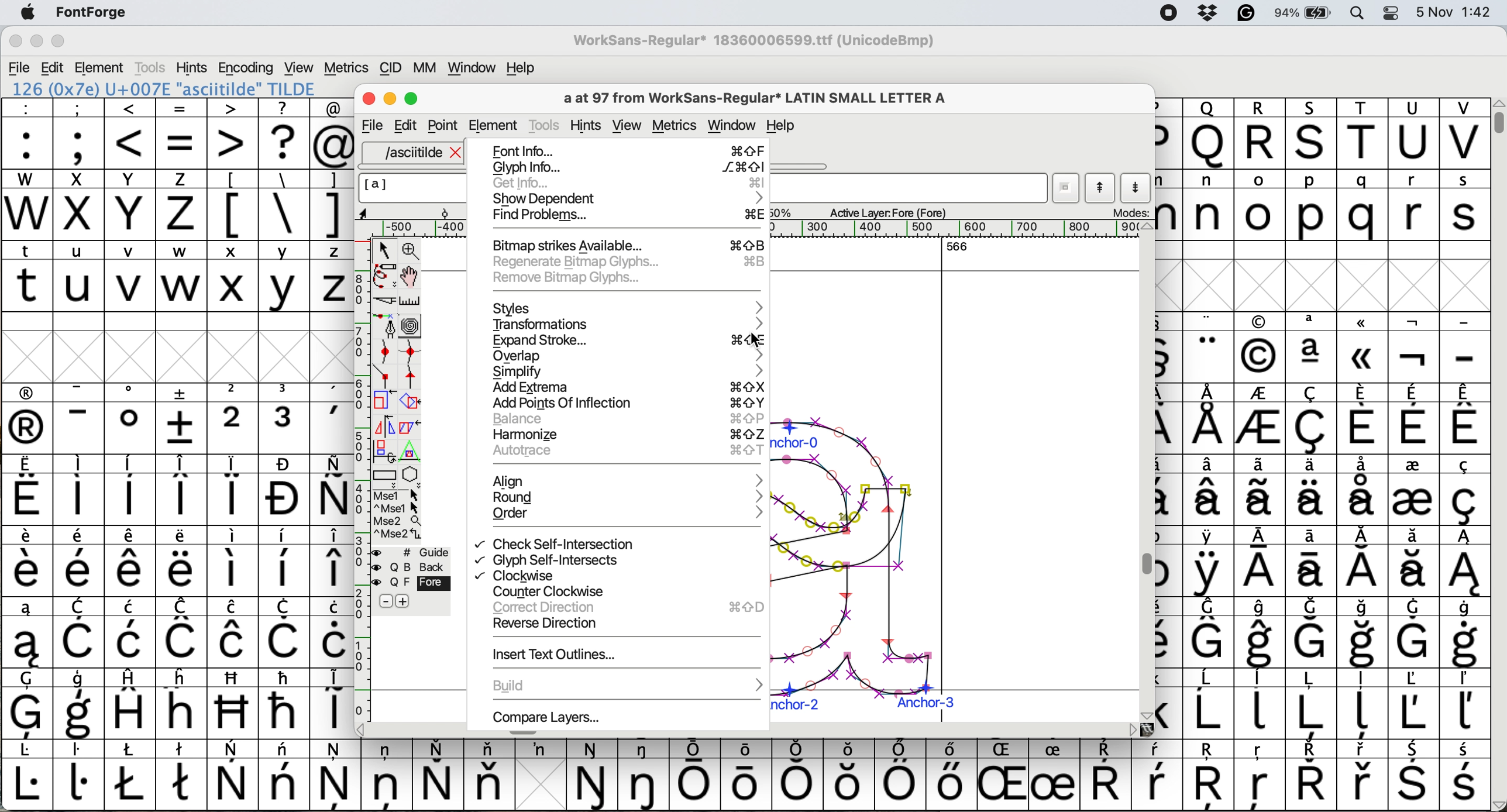  I want to click on transformations, so click(628, 324).